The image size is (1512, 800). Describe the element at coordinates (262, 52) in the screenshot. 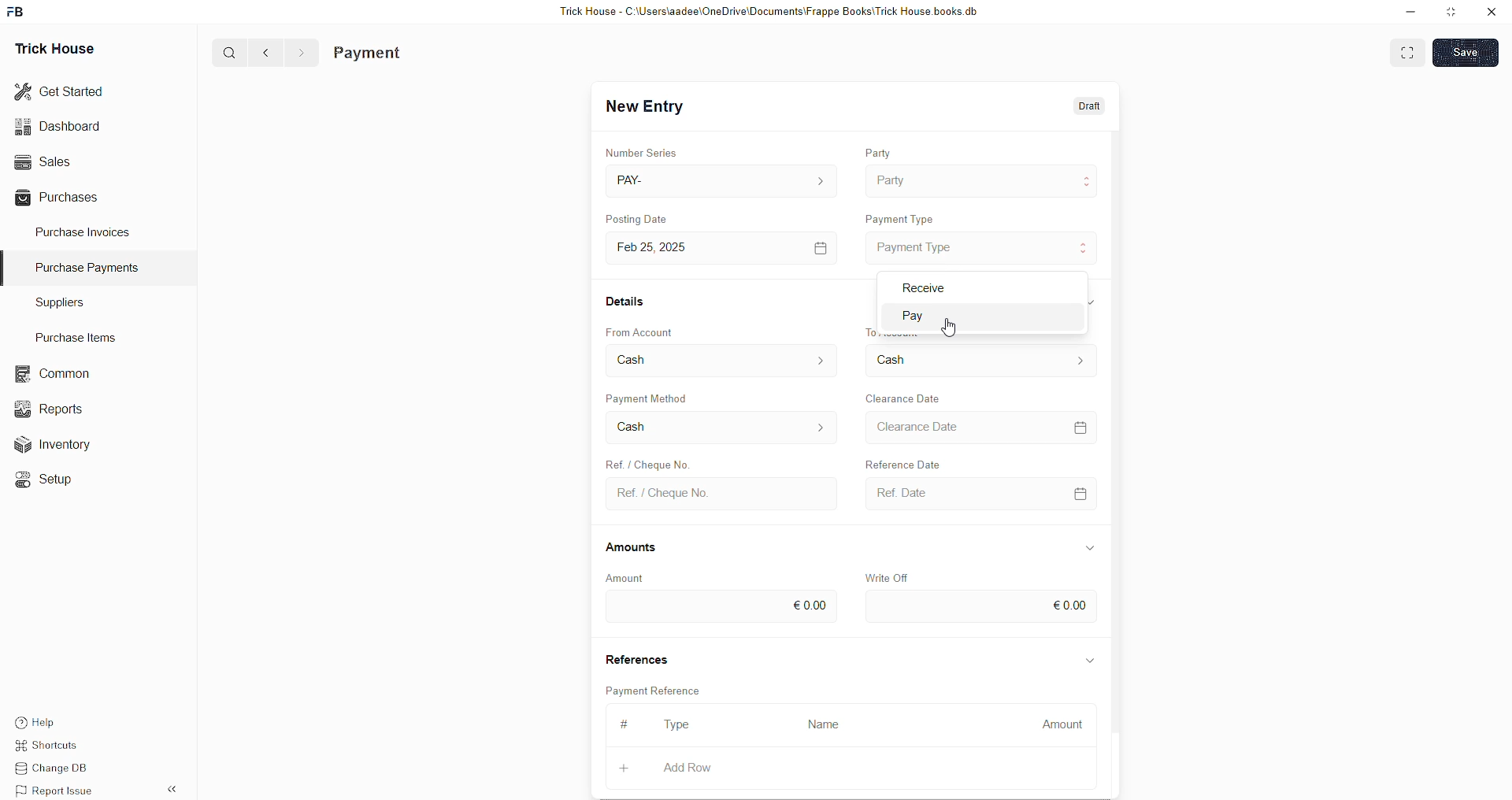

I see `<` at that location.